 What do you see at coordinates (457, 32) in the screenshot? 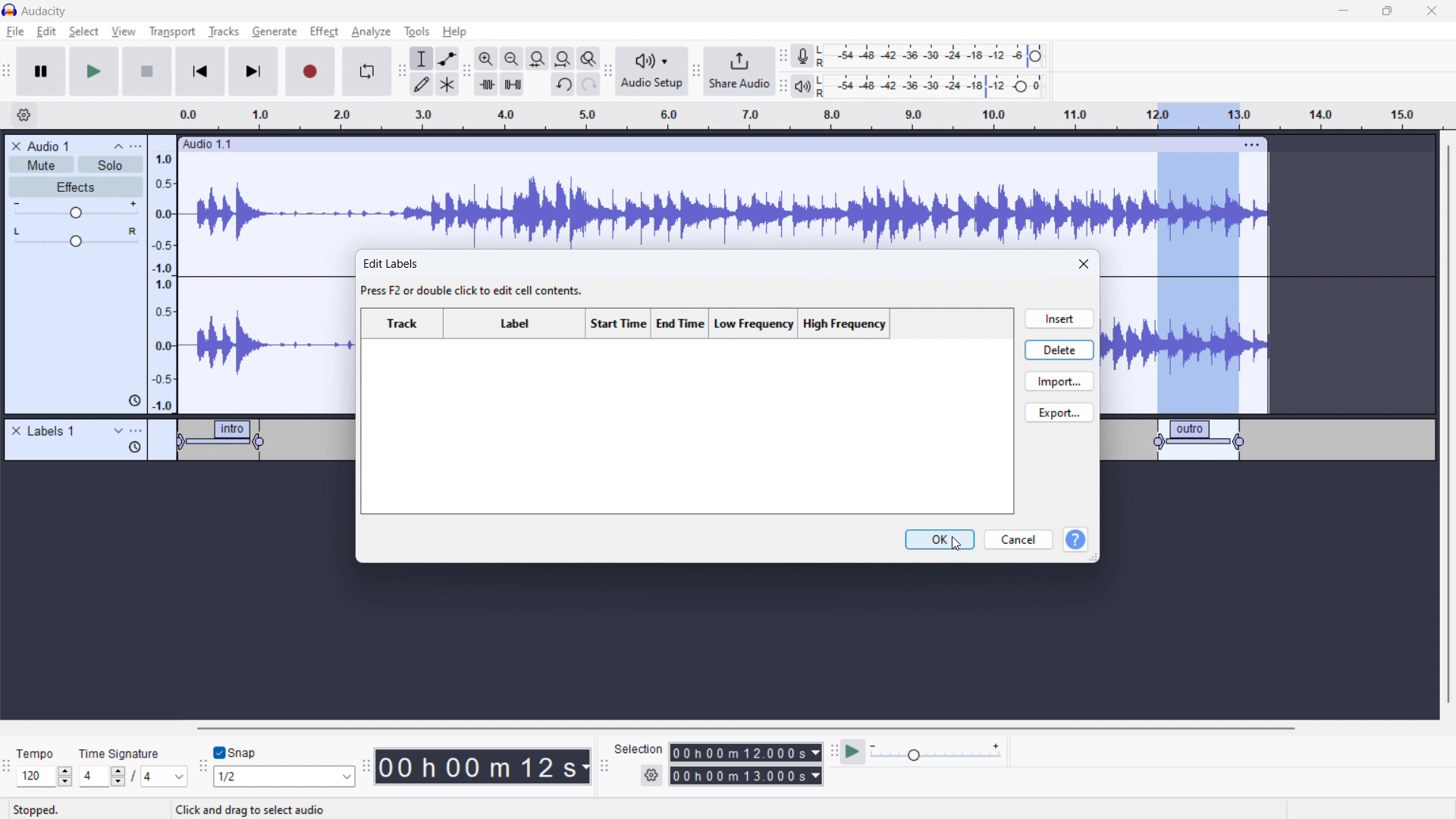
I see `help` at bounding box center [457, 32].